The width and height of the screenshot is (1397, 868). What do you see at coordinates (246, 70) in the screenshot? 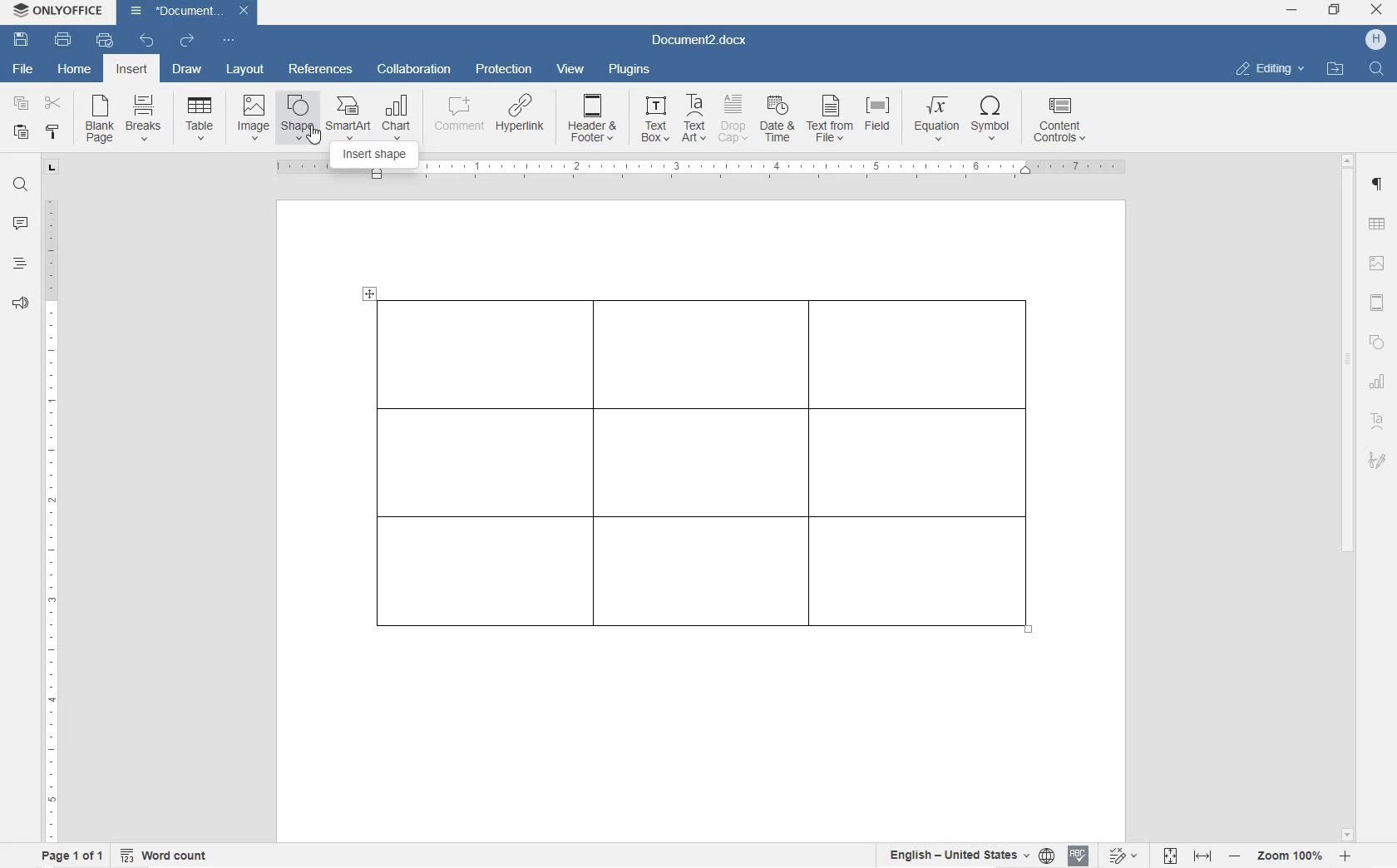
I see `layout` at bounding box center [246, 70].